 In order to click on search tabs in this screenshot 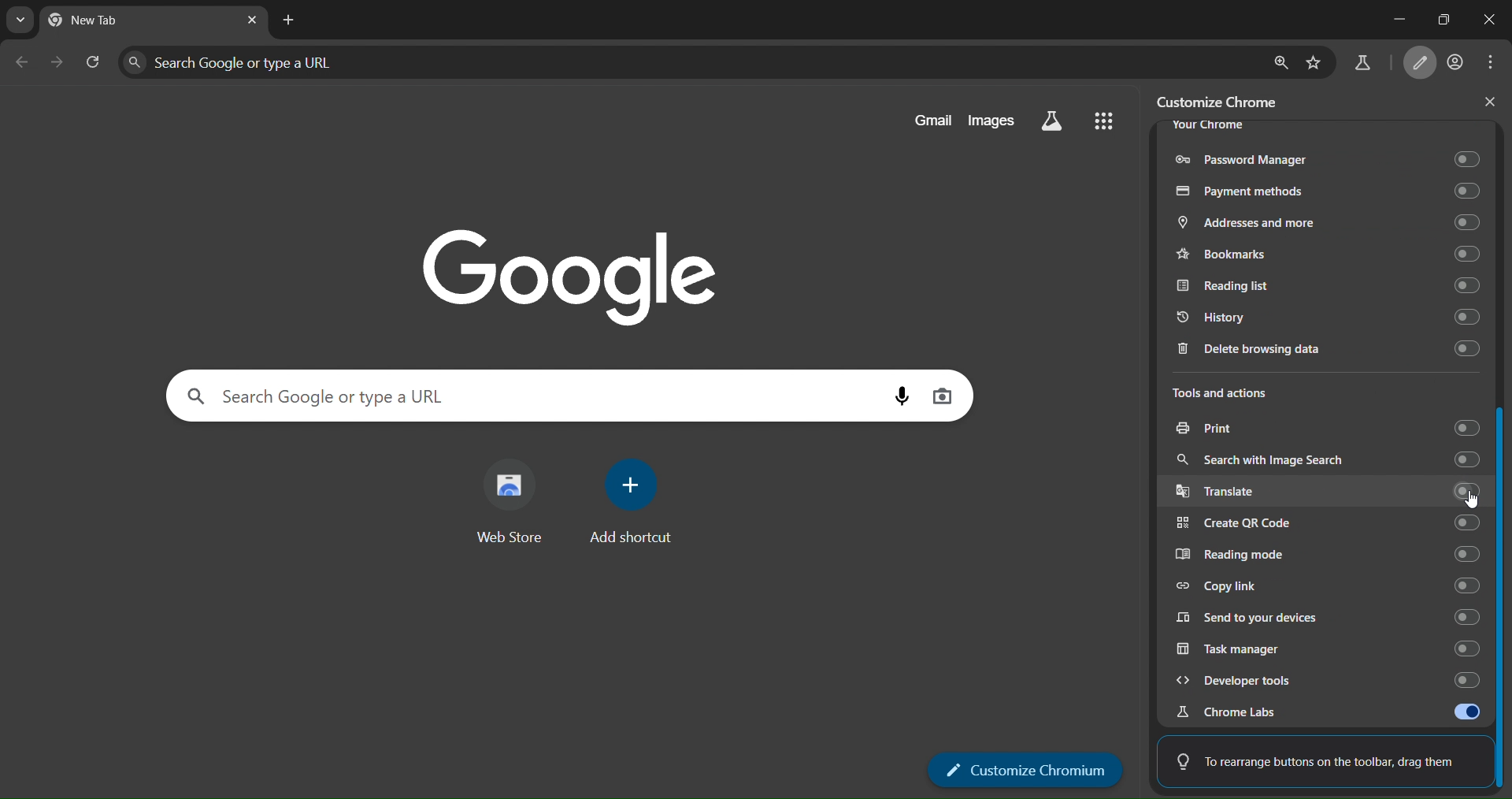, I will do `click(22, 21)`.